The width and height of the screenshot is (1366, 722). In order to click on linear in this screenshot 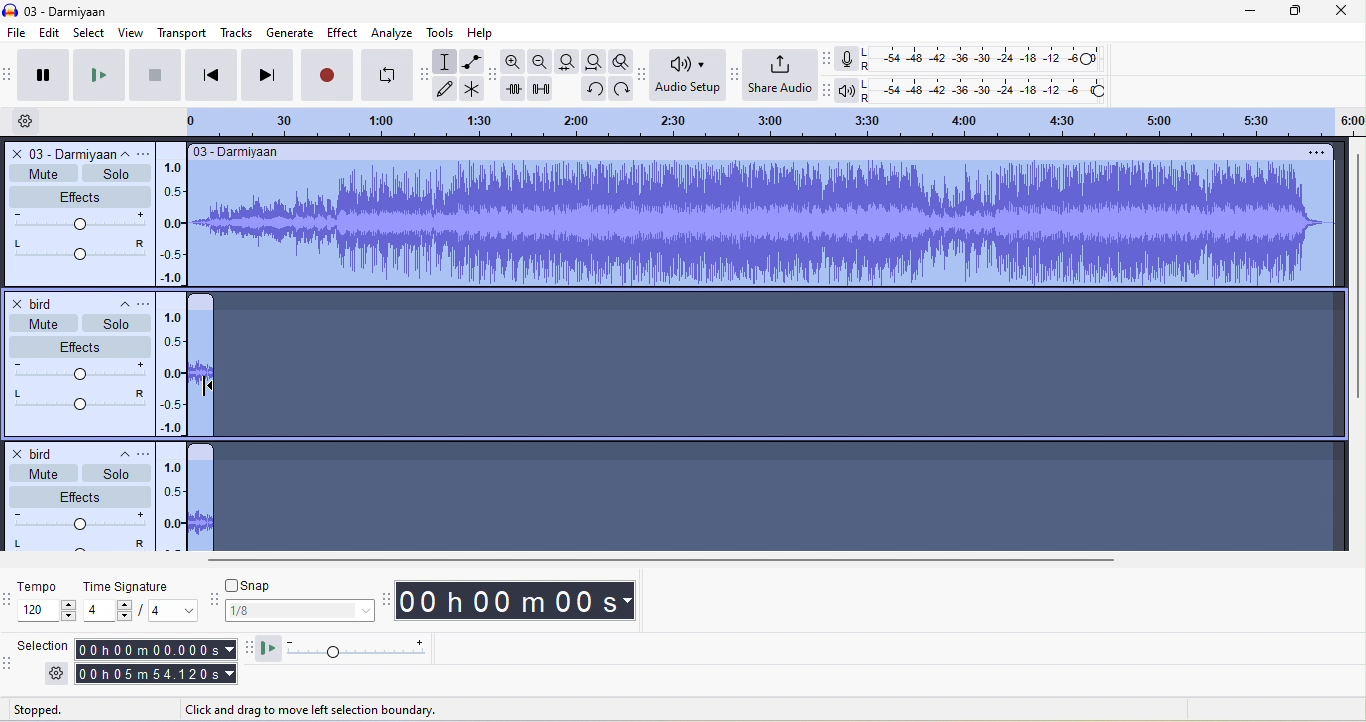, I will do `click(175, 371)`.